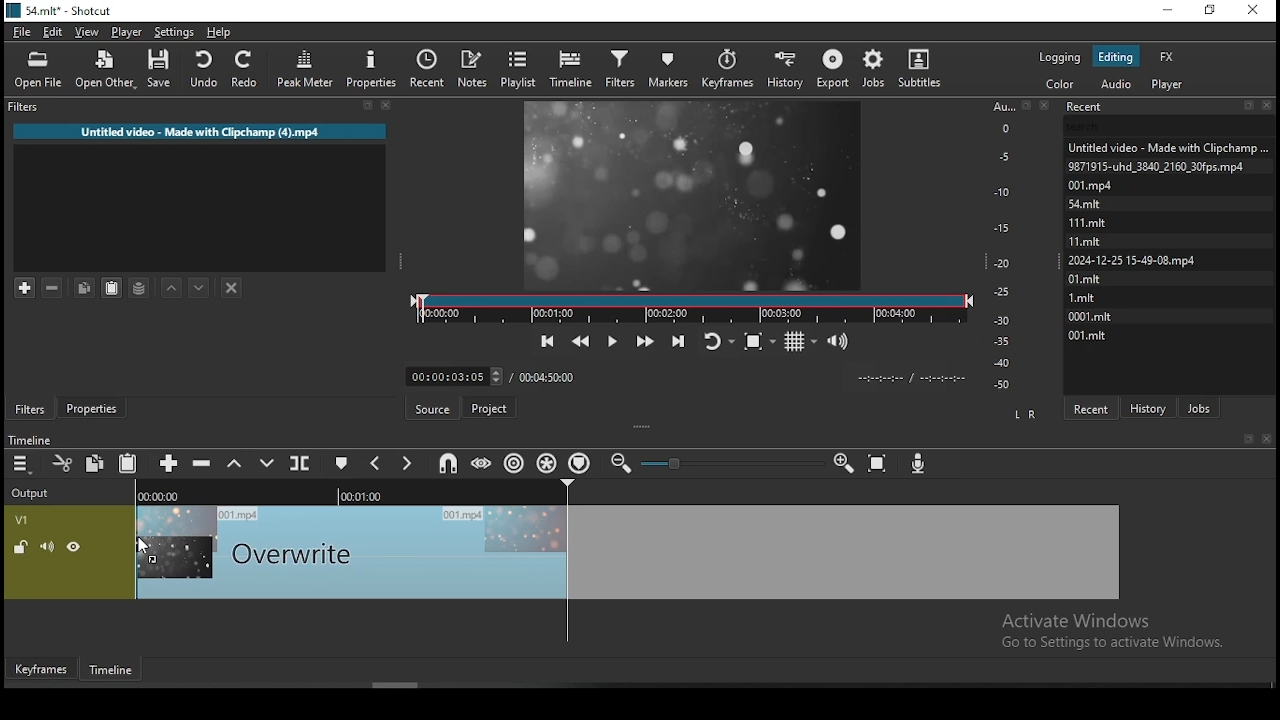 Image resolution: width=1280 pixels, height=720 pixels. What do you see at coordinates (25, 285) in the screenshot?
I see `add filter` at bounding box center [25, 285].